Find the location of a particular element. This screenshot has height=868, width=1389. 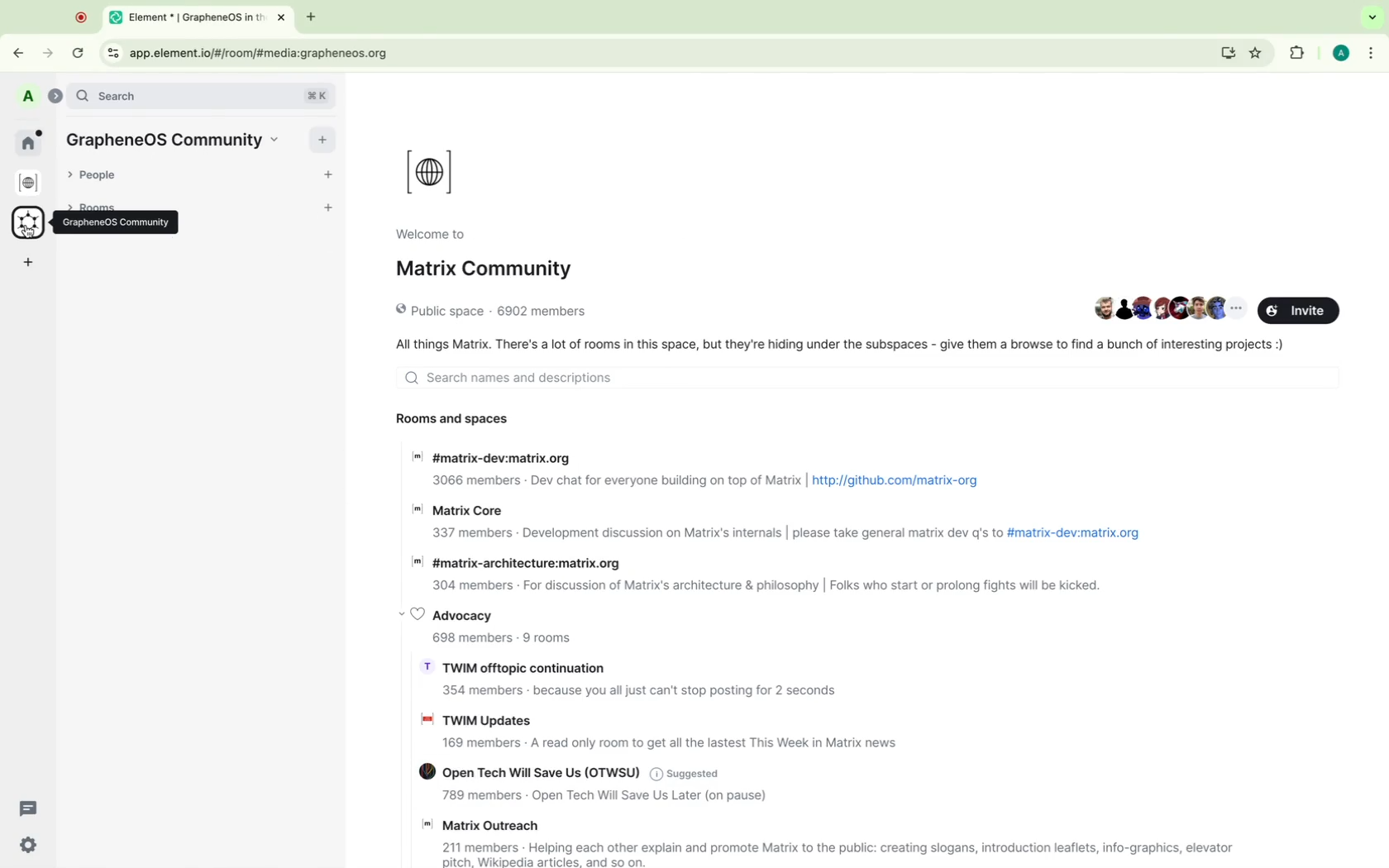

grapheneOS community is located at coordinates (115, 222).